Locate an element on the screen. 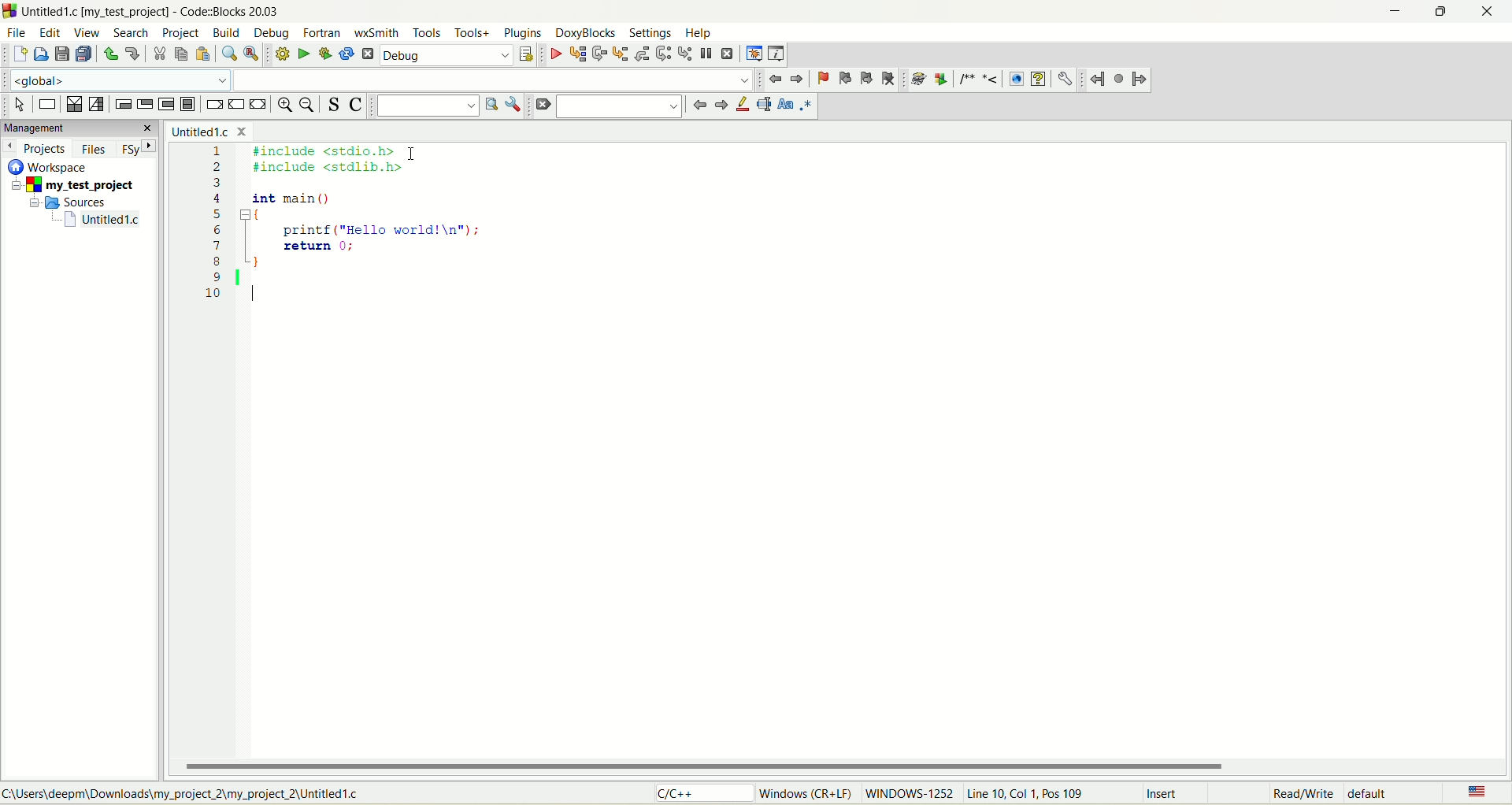 The height and width of the screenshot is (805, 1512). tools is located at coordinates (428, 33).